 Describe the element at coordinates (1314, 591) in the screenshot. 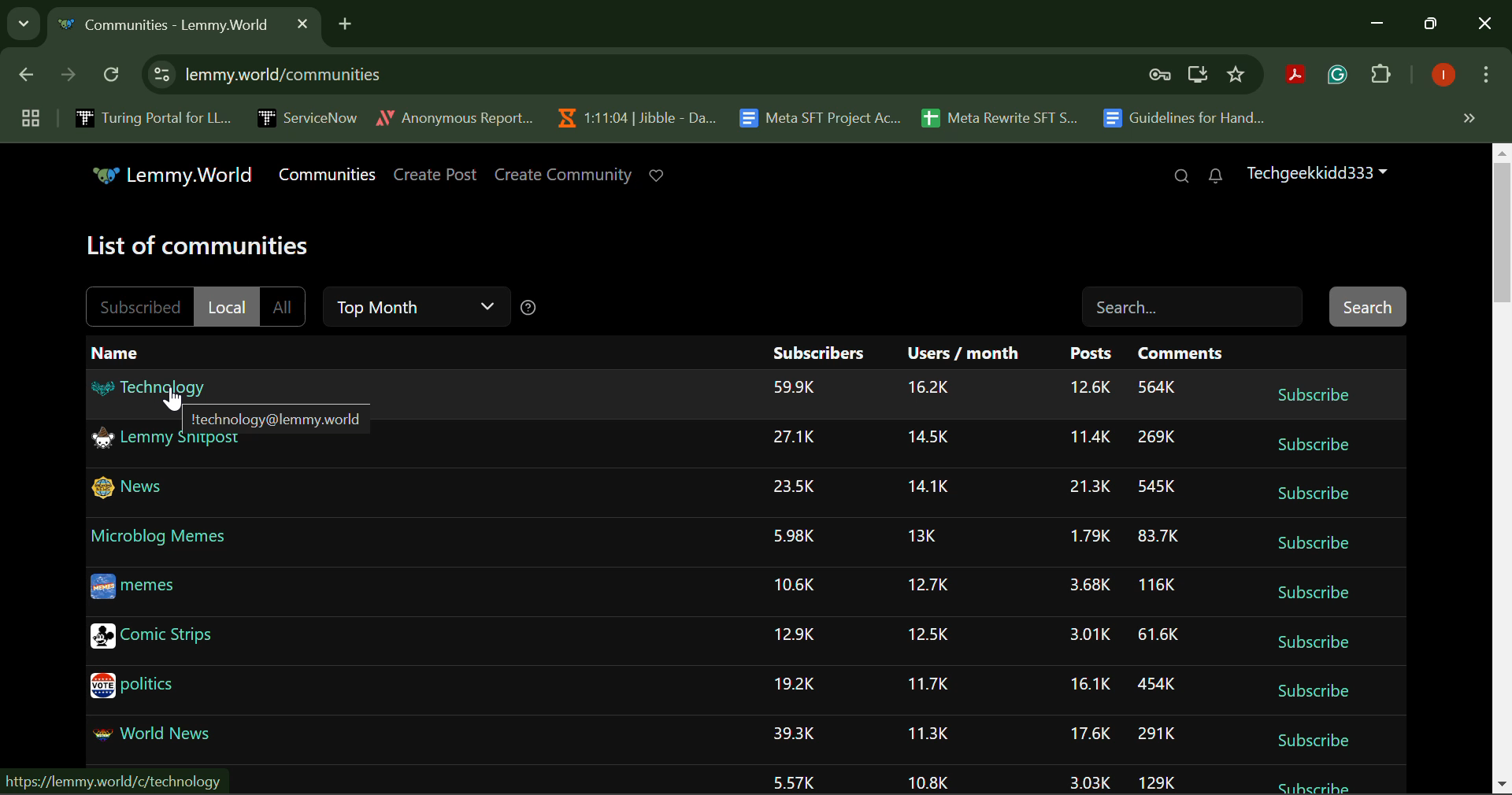

I see `Subscribe Button` at that location.